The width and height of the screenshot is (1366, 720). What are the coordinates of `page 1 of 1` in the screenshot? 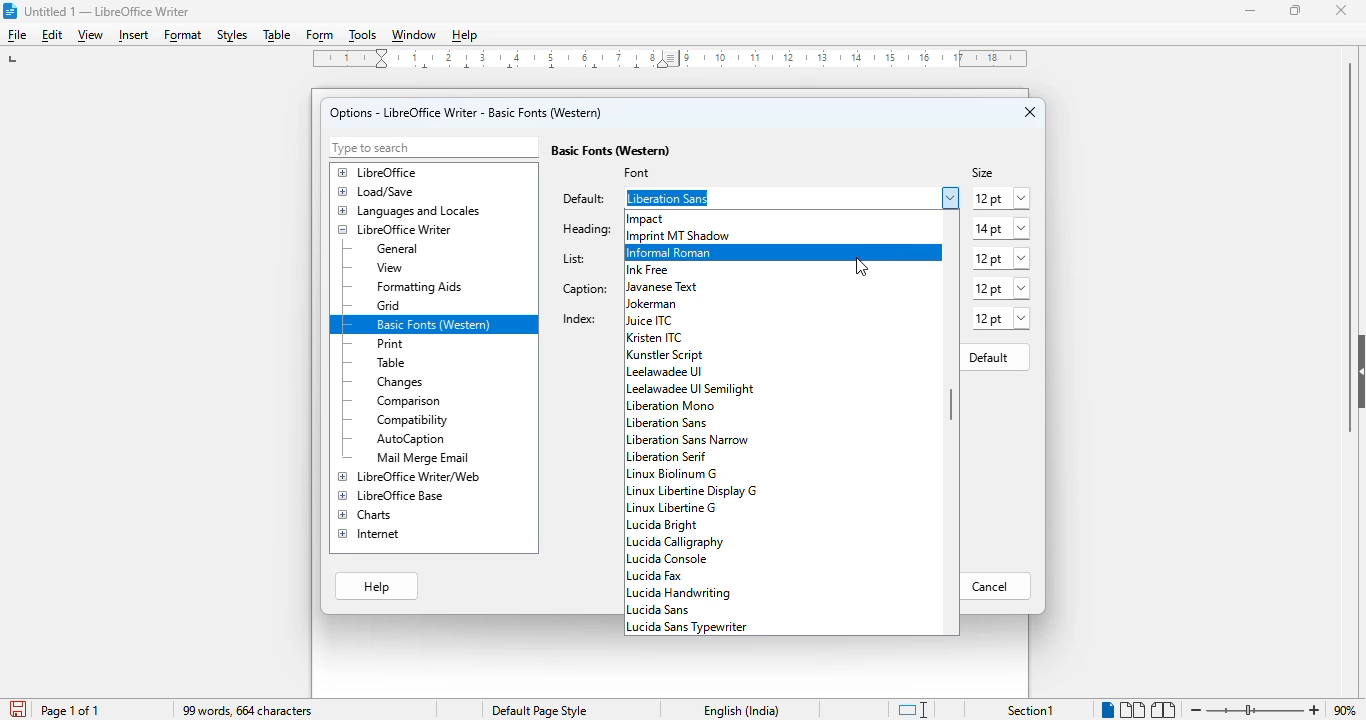 It's located at (71, 711).